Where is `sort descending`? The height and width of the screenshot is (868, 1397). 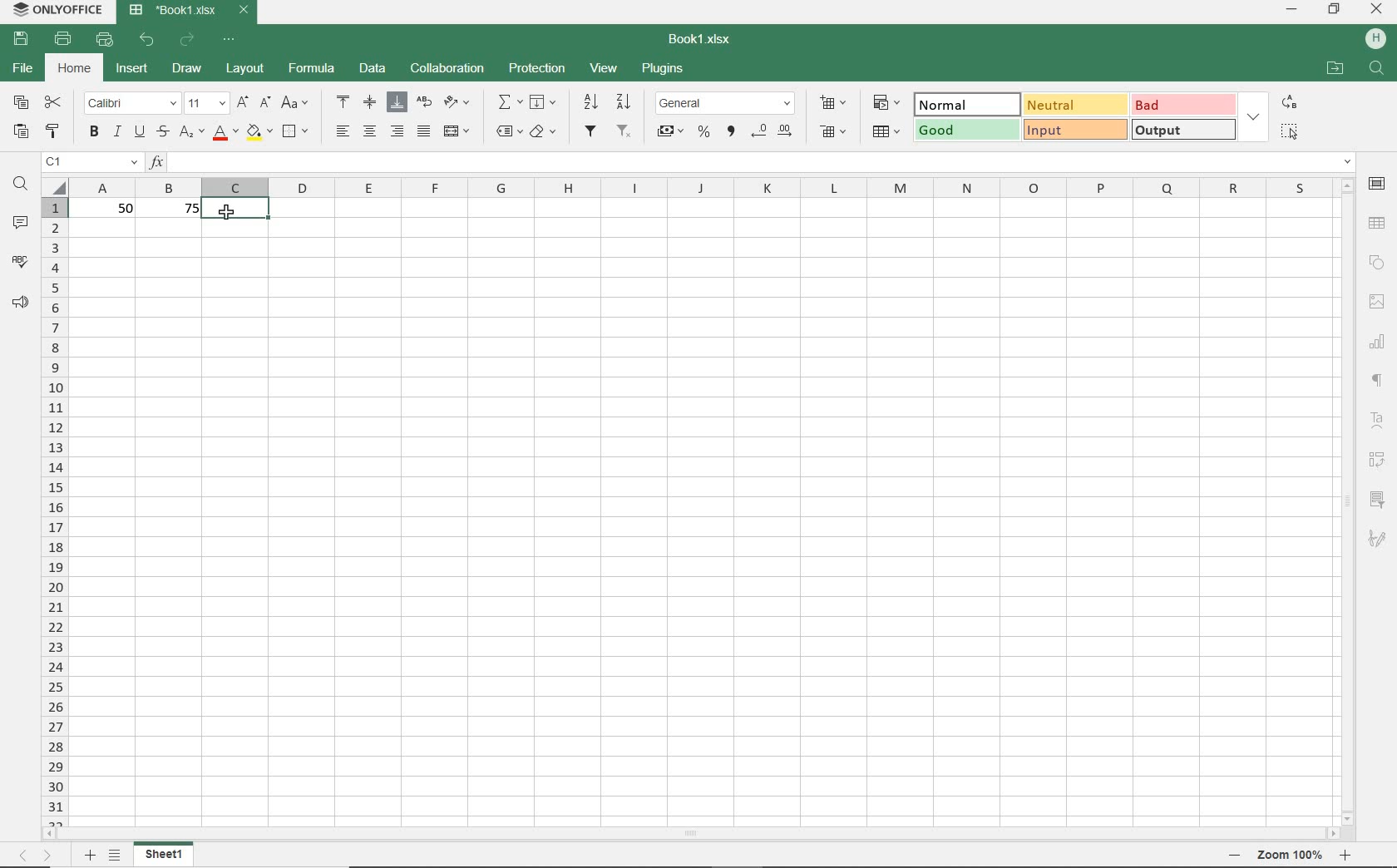
sort descending is located at coordinates (624, 101).